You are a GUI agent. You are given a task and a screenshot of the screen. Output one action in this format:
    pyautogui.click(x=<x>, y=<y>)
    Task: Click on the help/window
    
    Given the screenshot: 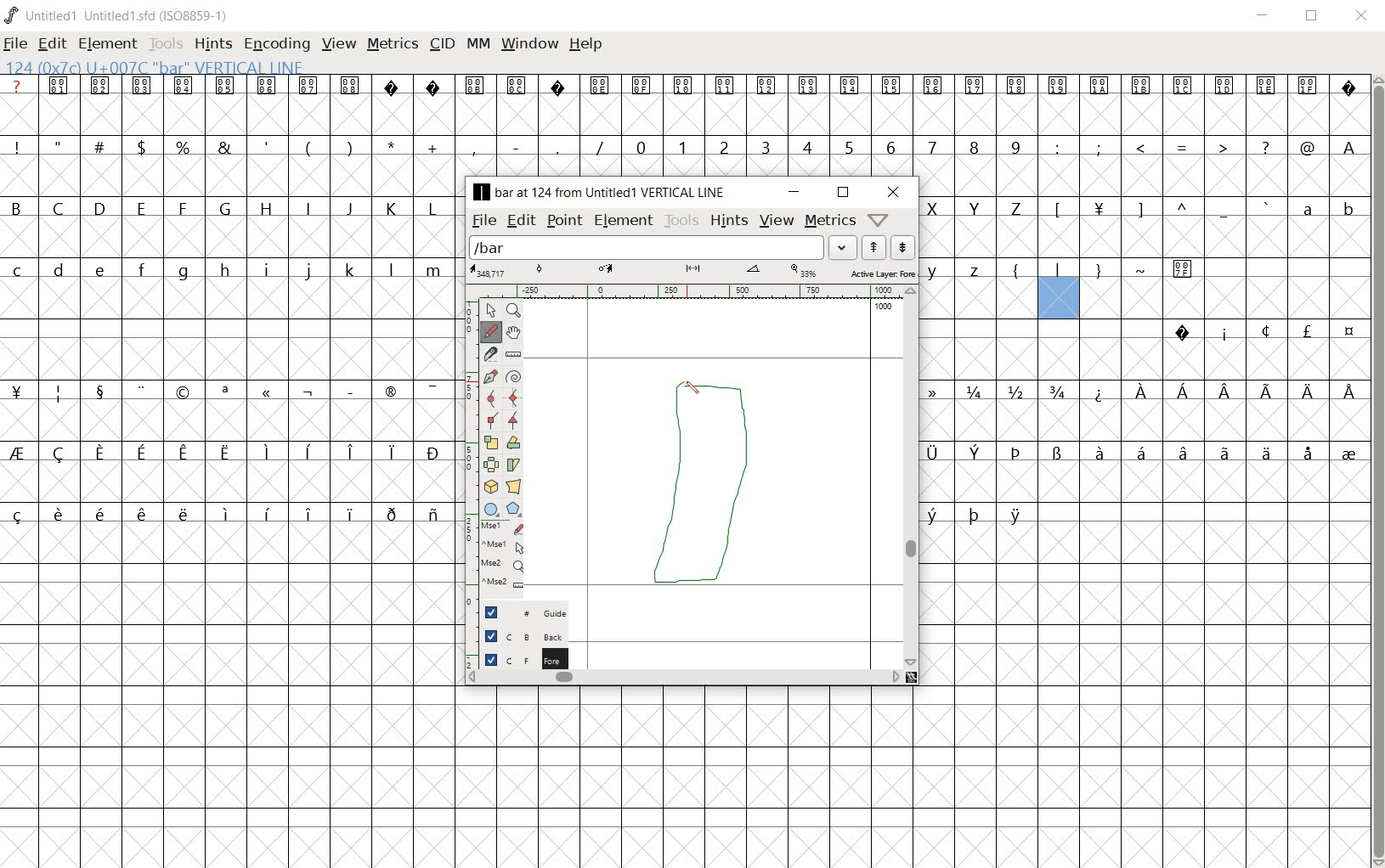 What is the action you would take?
    pyautogui.click(x=879, y=218)
    